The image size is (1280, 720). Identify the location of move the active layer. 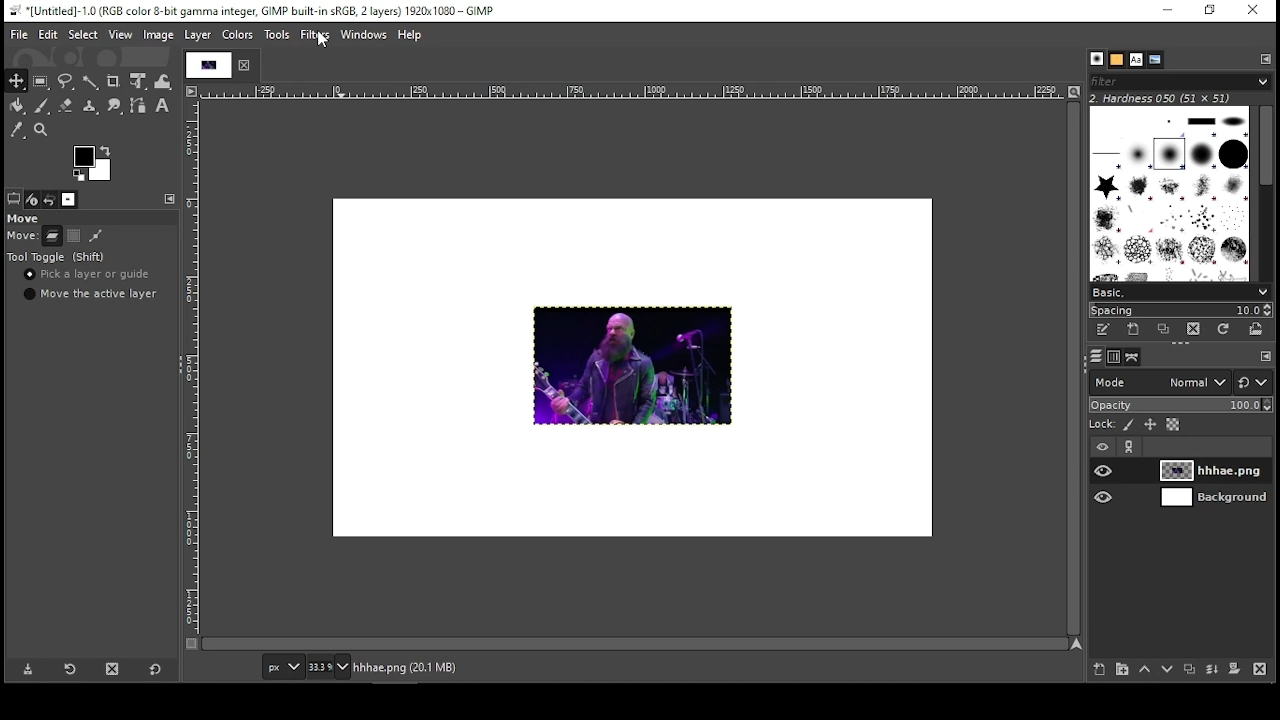
(91, 294).